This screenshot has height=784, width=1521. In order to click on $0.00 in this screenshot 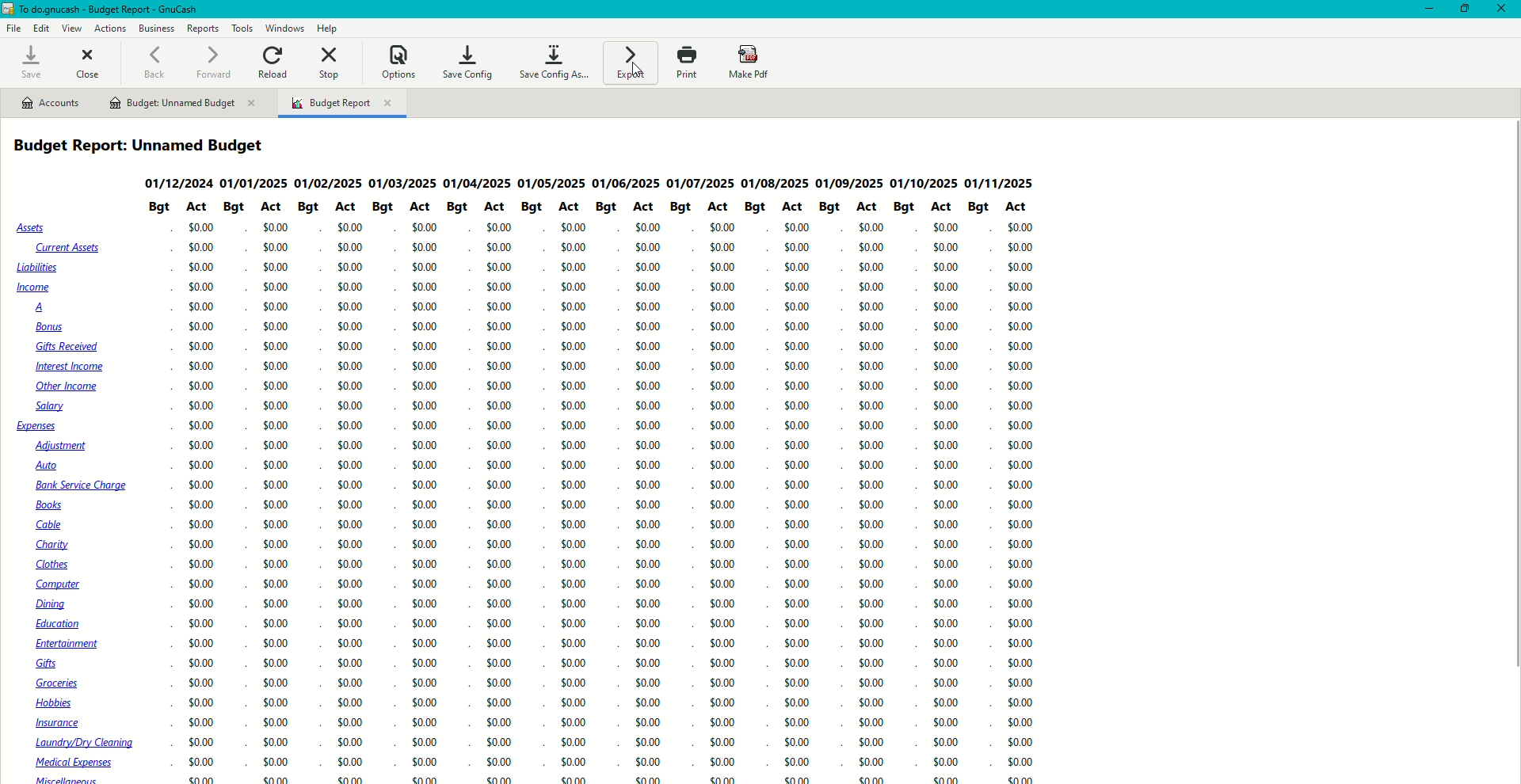, I will do `click(424, 547)`.